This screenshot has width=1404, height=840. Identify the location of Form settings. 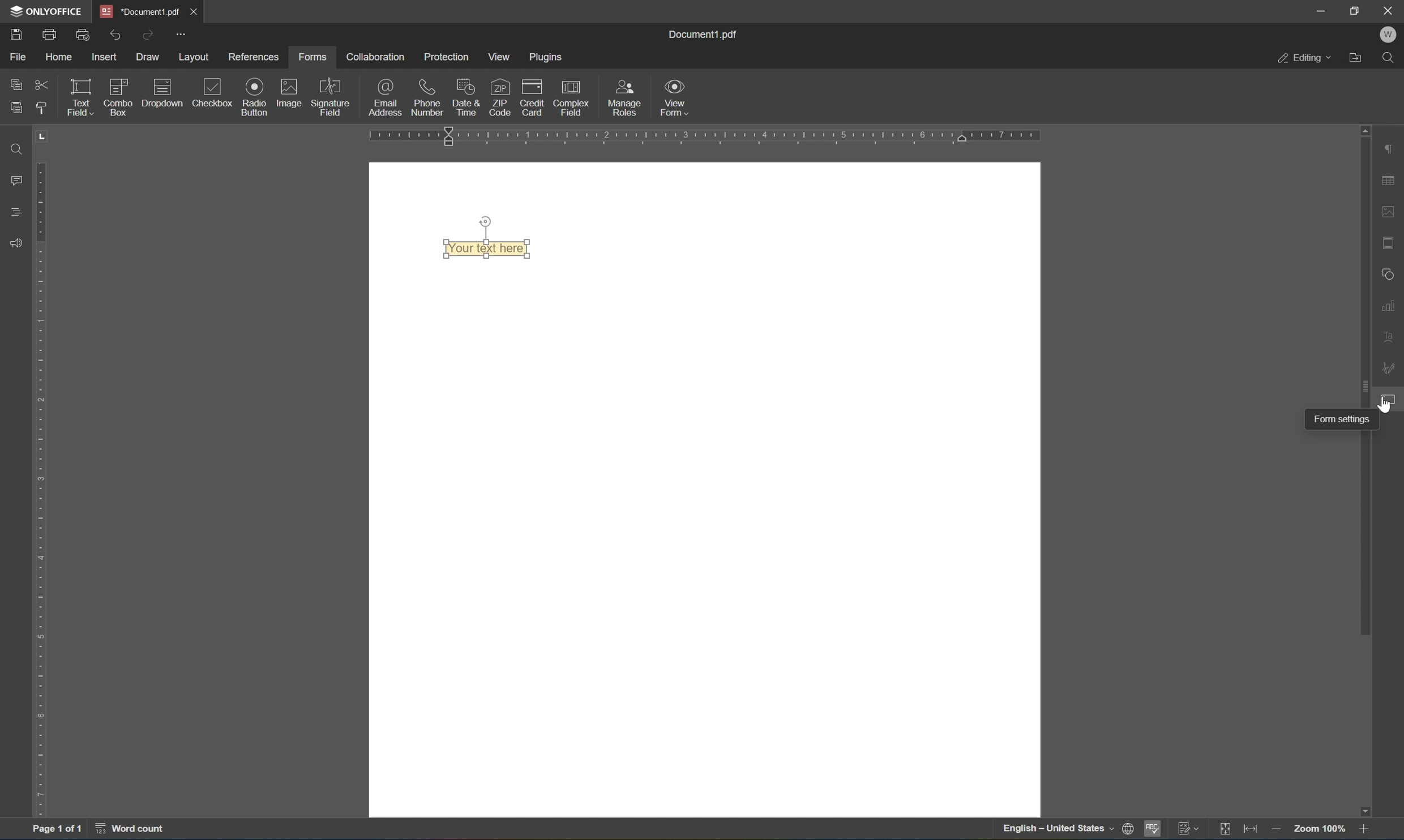
(1327, 421).